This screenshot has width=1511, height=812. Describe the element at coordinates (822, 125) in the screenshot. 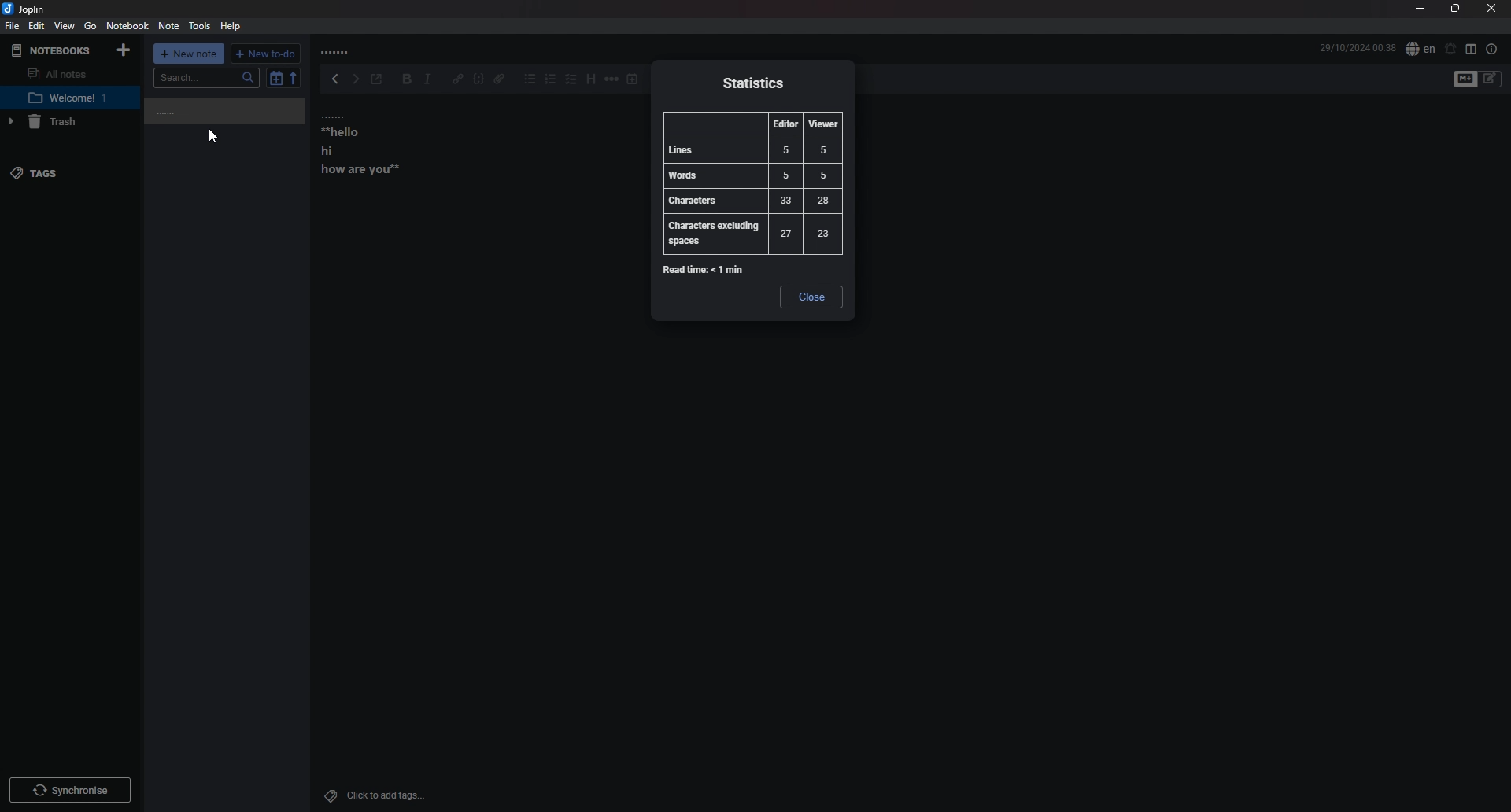

I see `viewer` at that location.